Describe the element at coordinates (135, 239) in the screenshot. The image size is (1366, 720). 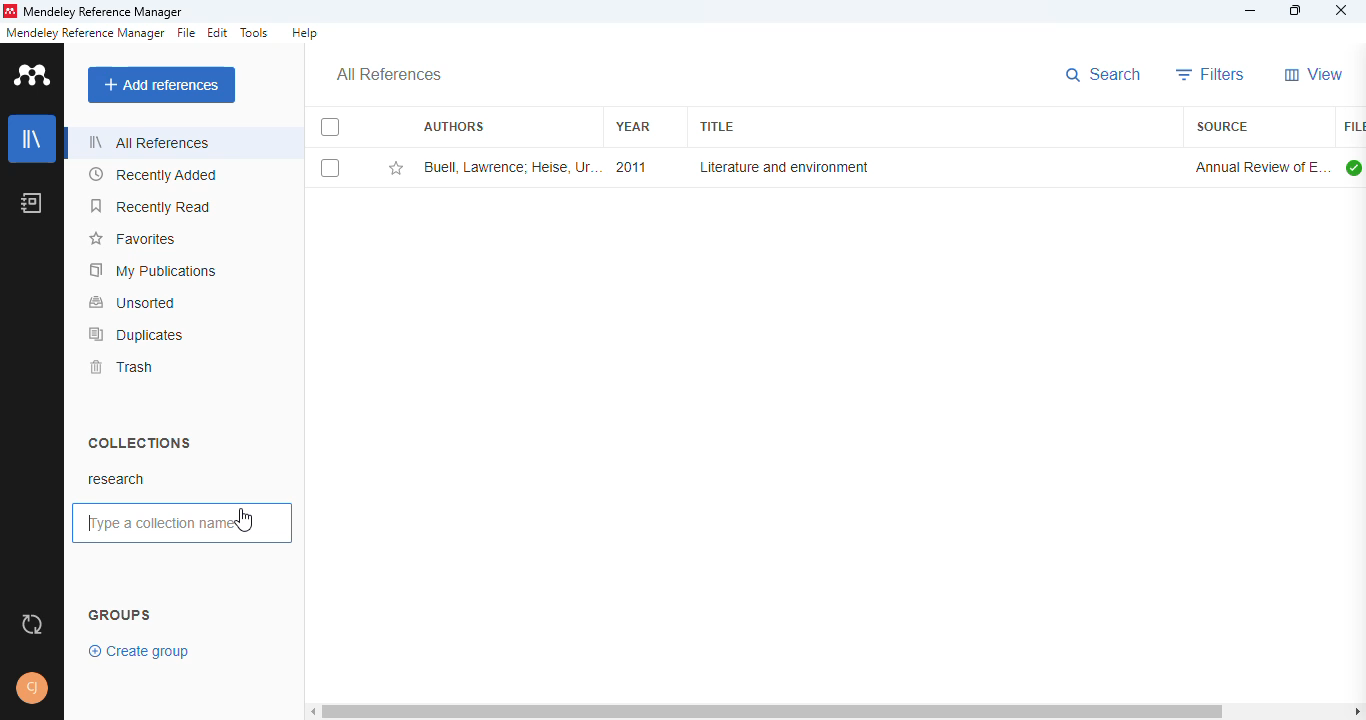
I see `favorites` at that location.